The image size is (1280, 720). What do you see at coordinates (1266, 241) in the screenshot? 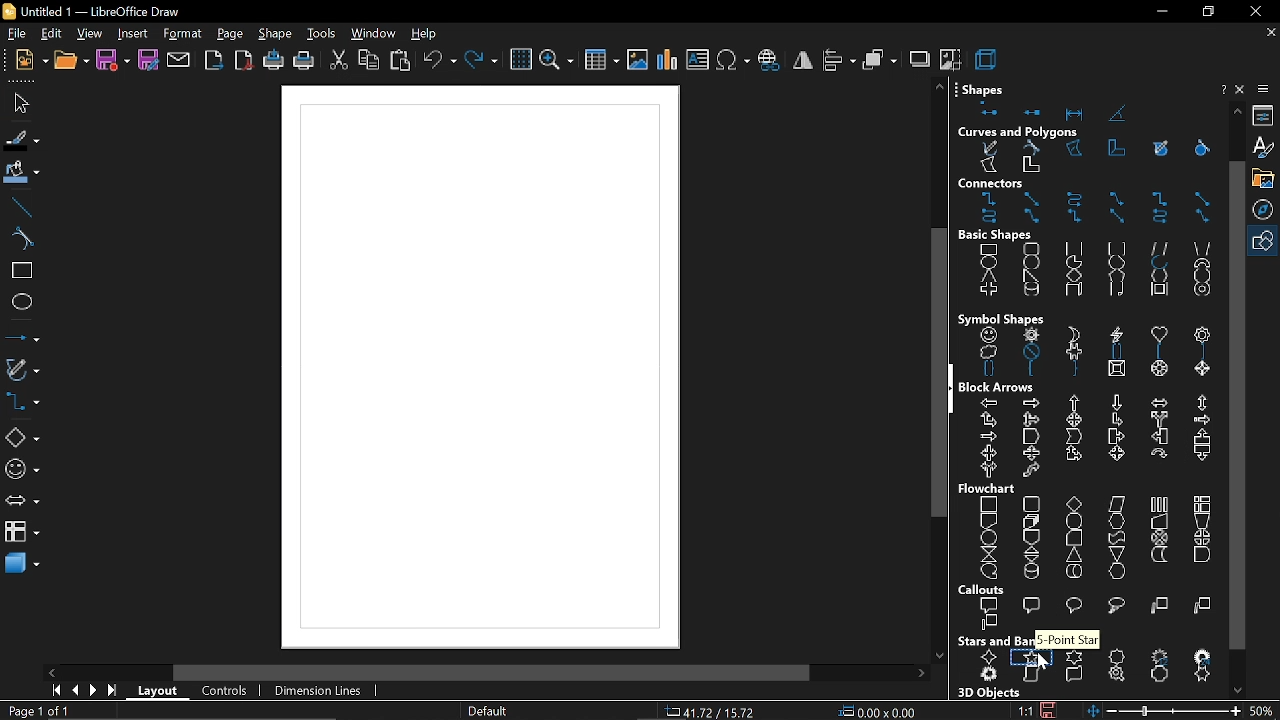
I see `basic shapes` at bounding box center [1266, 241].